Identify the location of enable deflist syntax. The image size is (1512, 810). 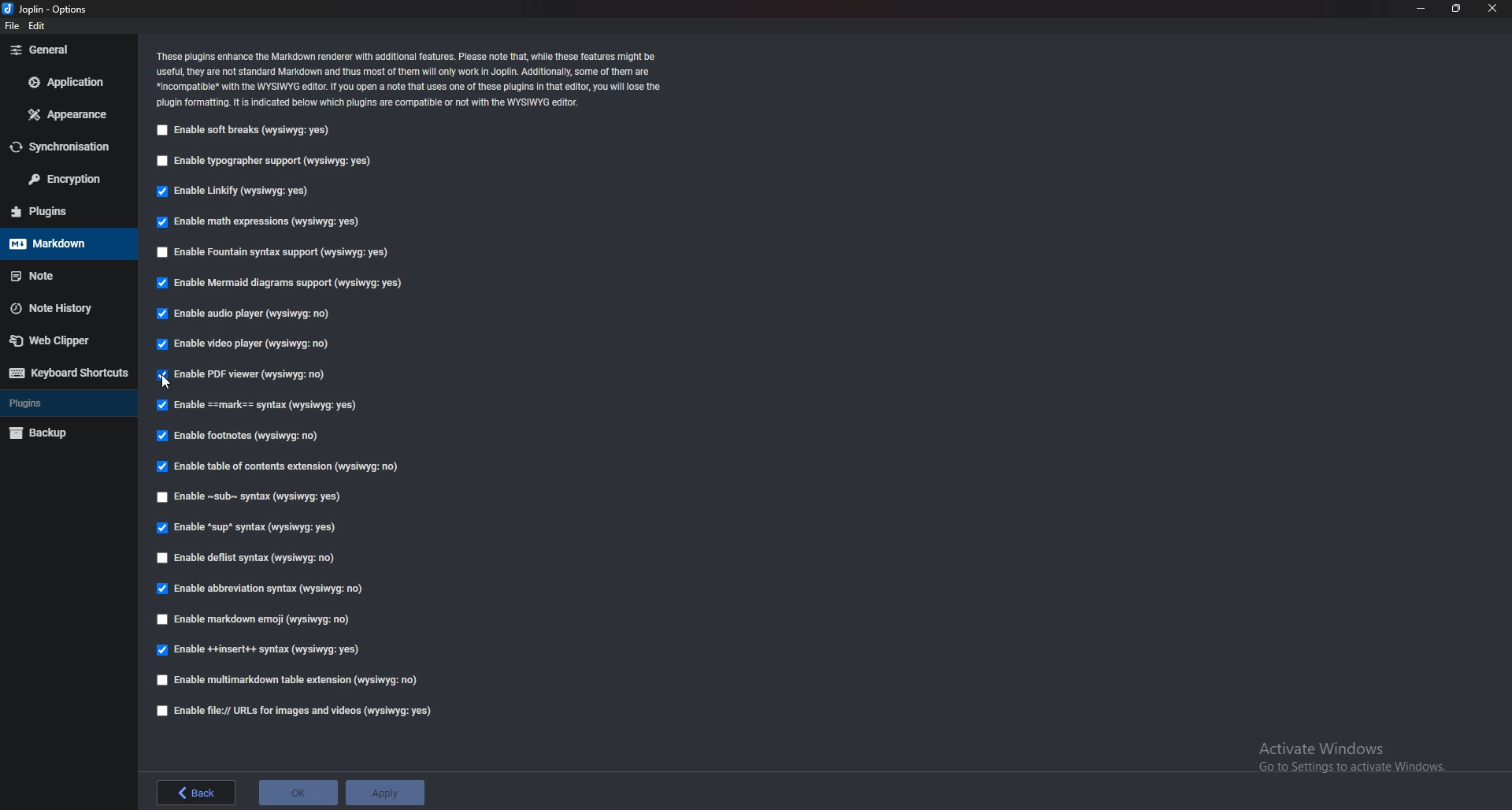
(250, 556).